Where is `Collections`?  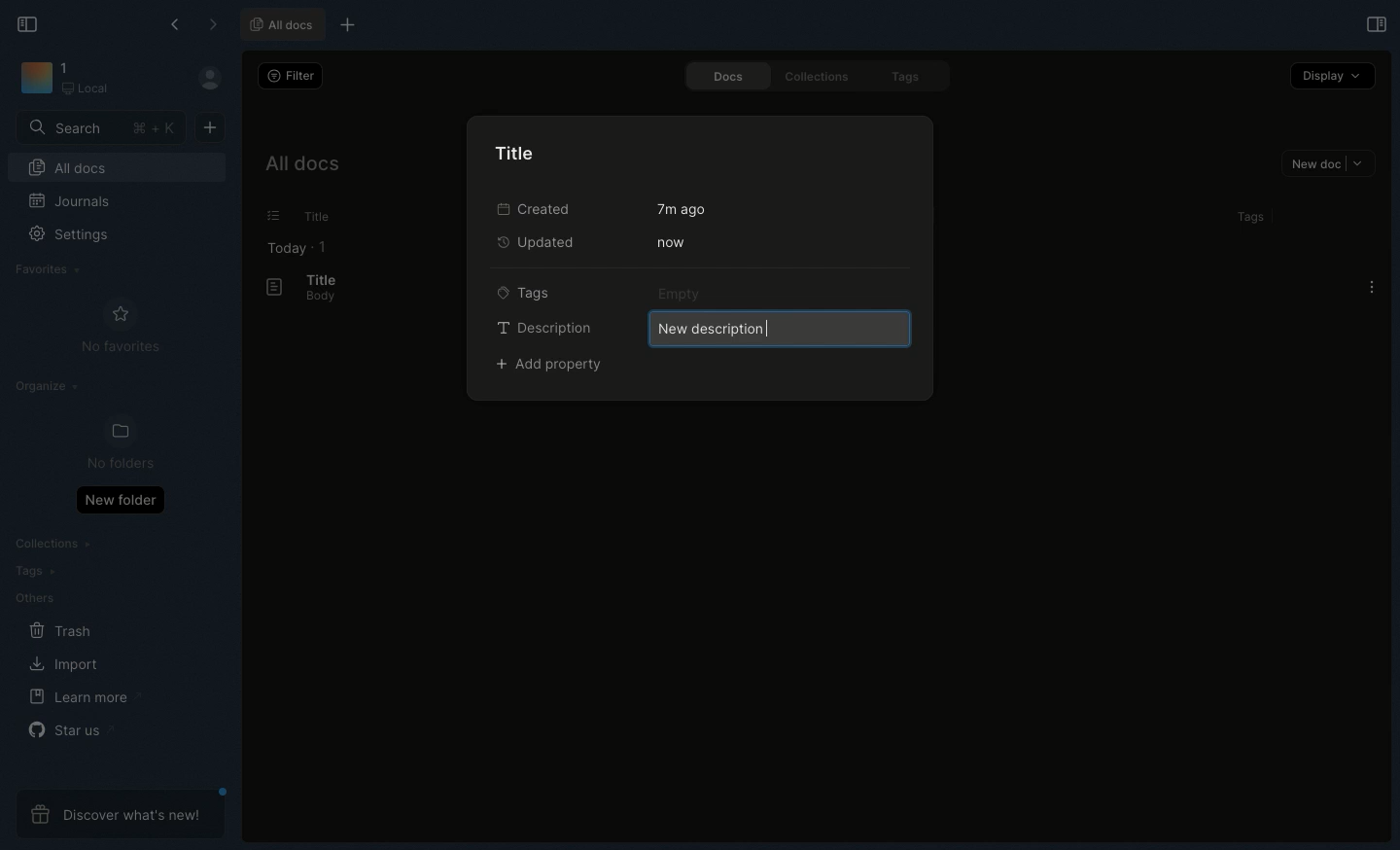
Collections is located at coordinates (55, 546).